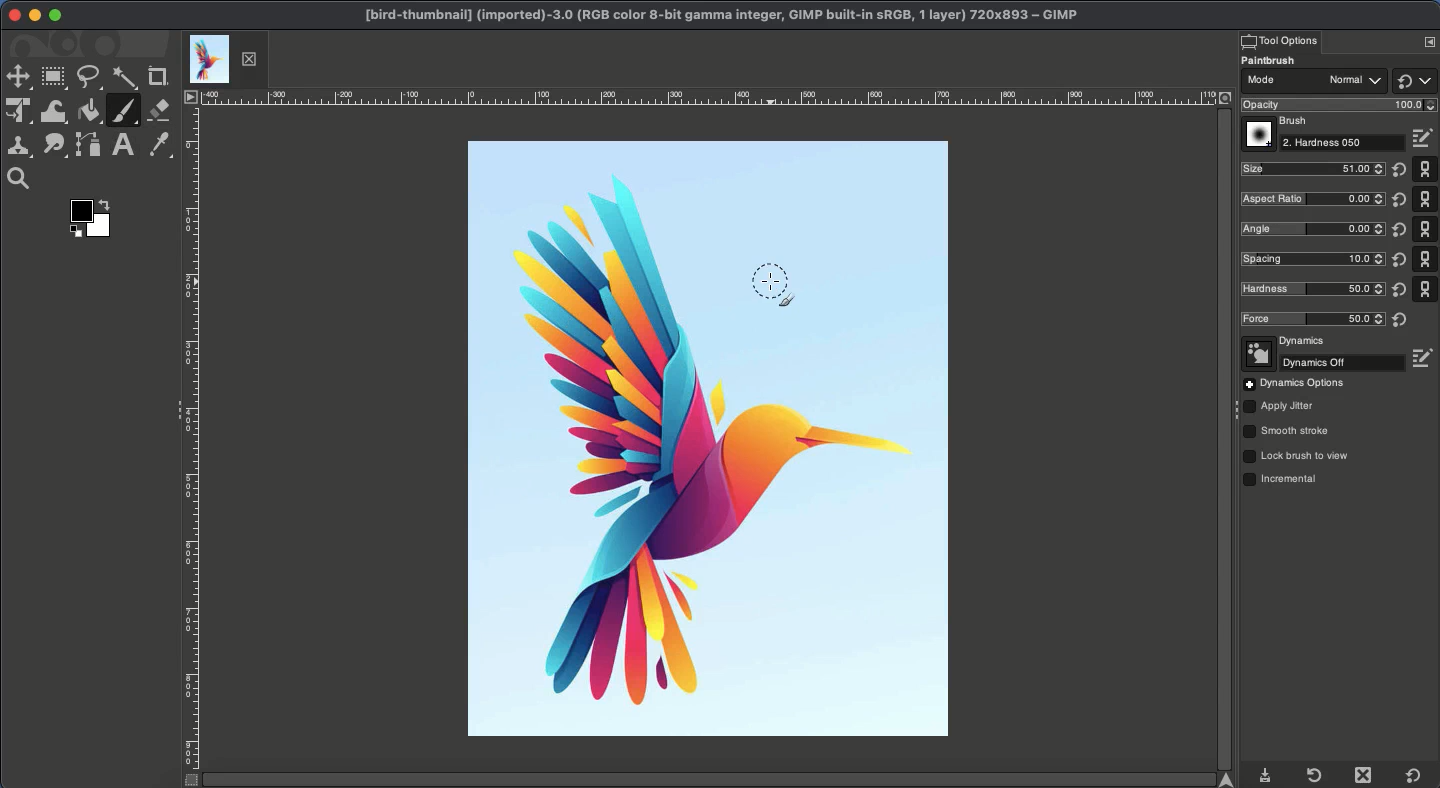 The height and width of the screenshot is (788, 1440). Describe the element at coordinates (190, 449) in the screenshot. I see `Ruler` at that location.